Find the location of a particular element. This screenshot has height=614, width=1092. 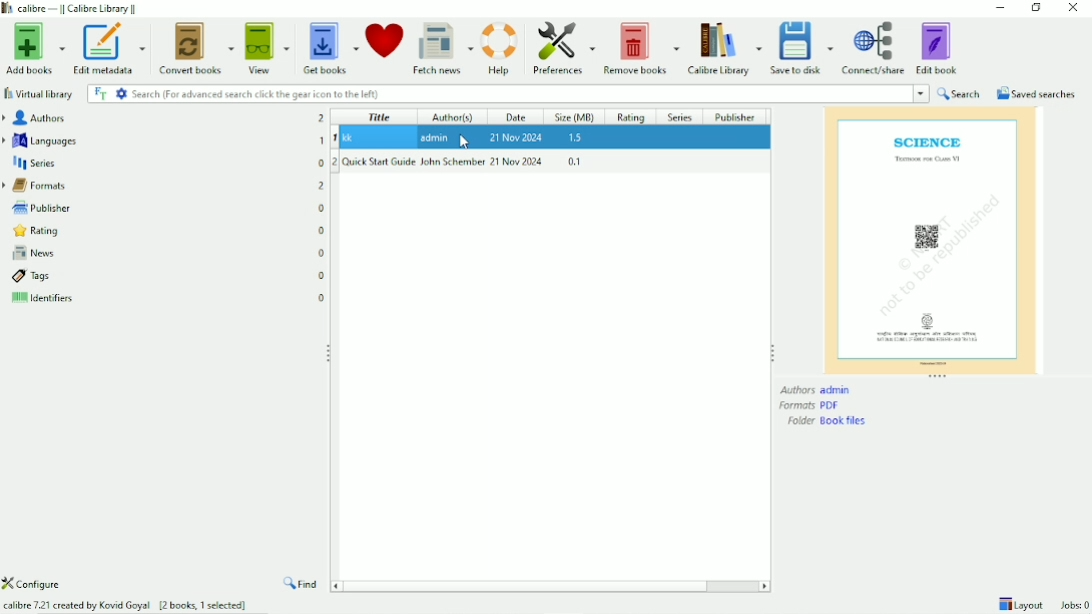

Size is located at coordinates (575, 116).